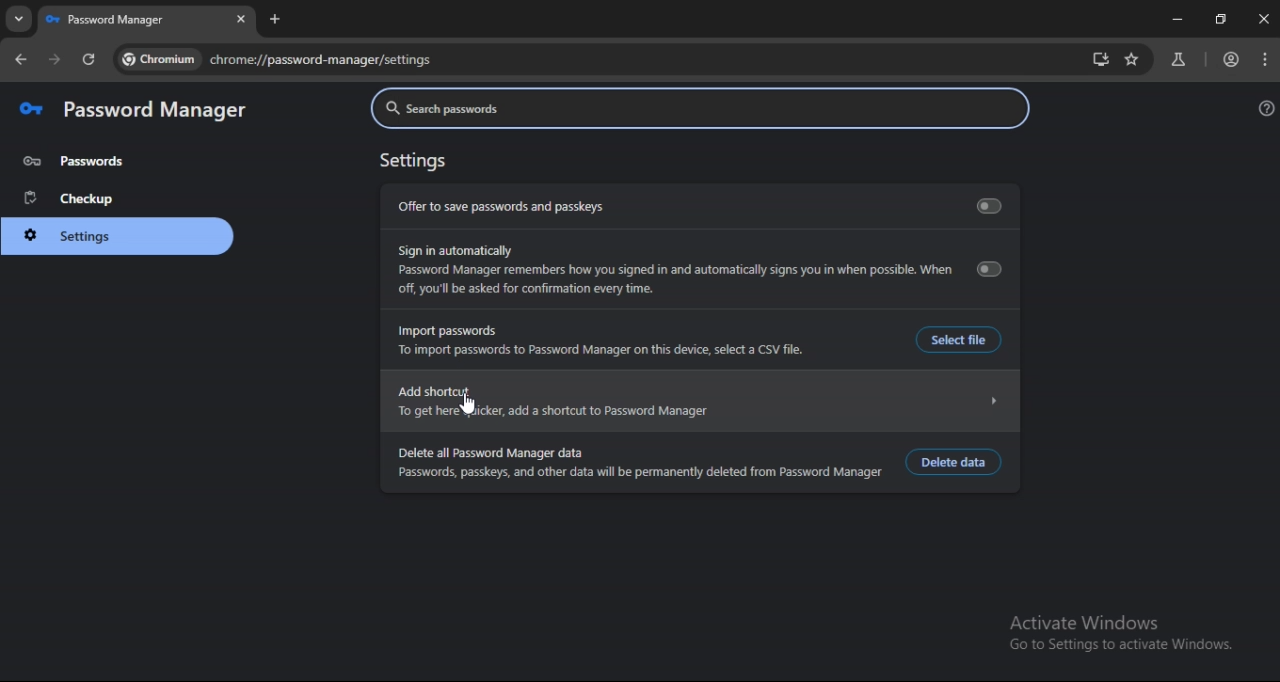  What do you see at coordinates (1175, 19) in the screenshot?
I see `minimize` at bounding box center [1175, 19].